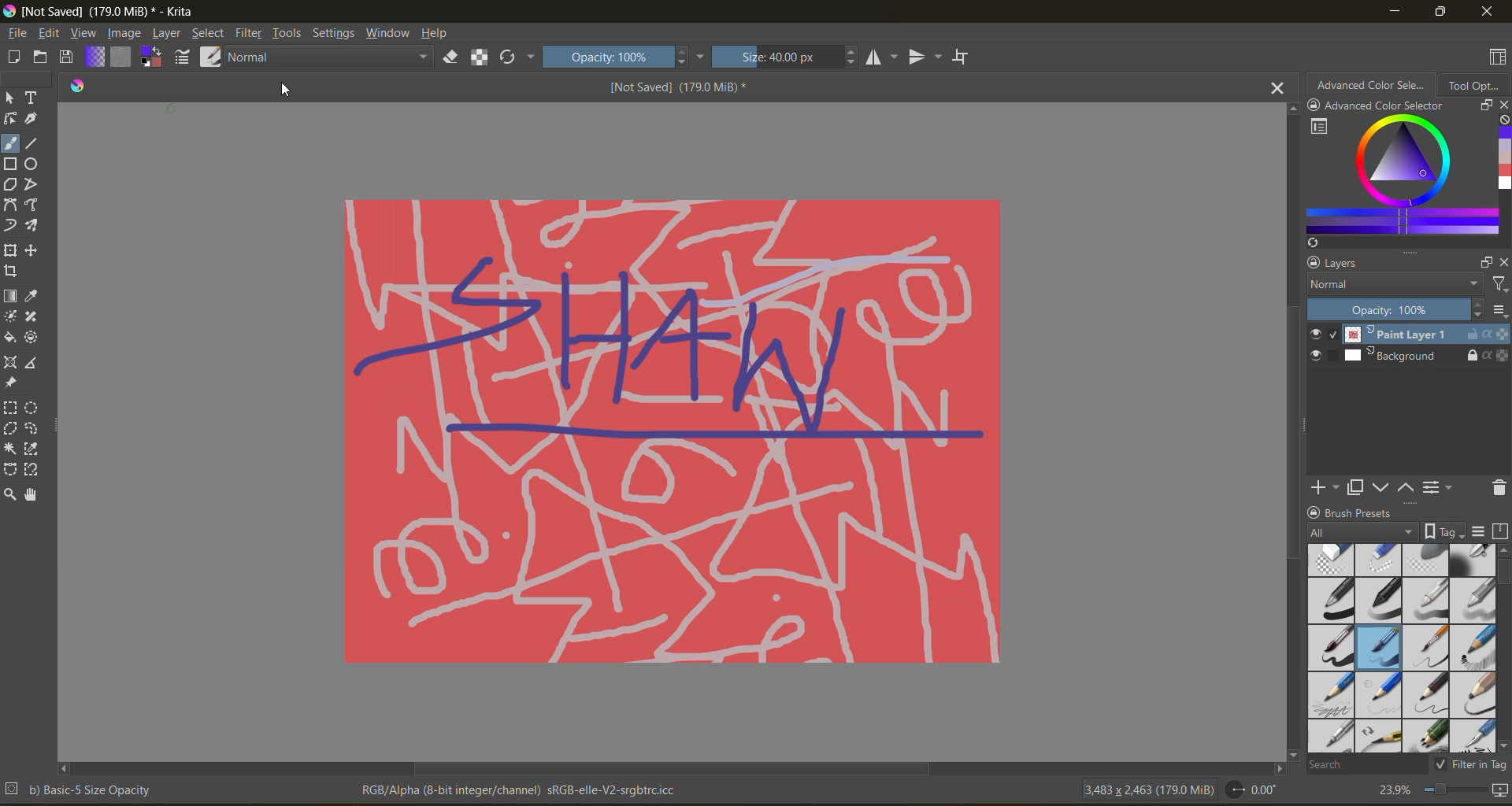  I want to click on close docker, so click(1503, 104).